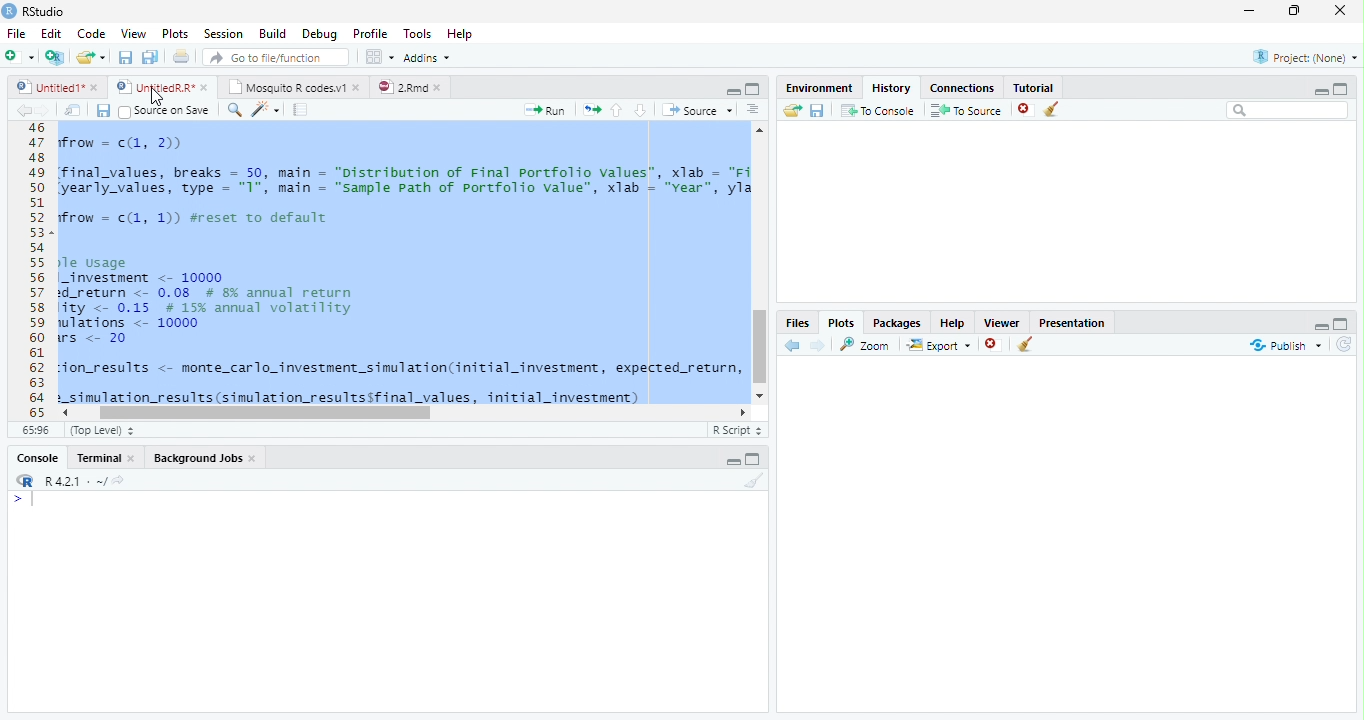  Describe the element at coordinates (1253, 12) in the screenshot. I see `Minimize` at that location.